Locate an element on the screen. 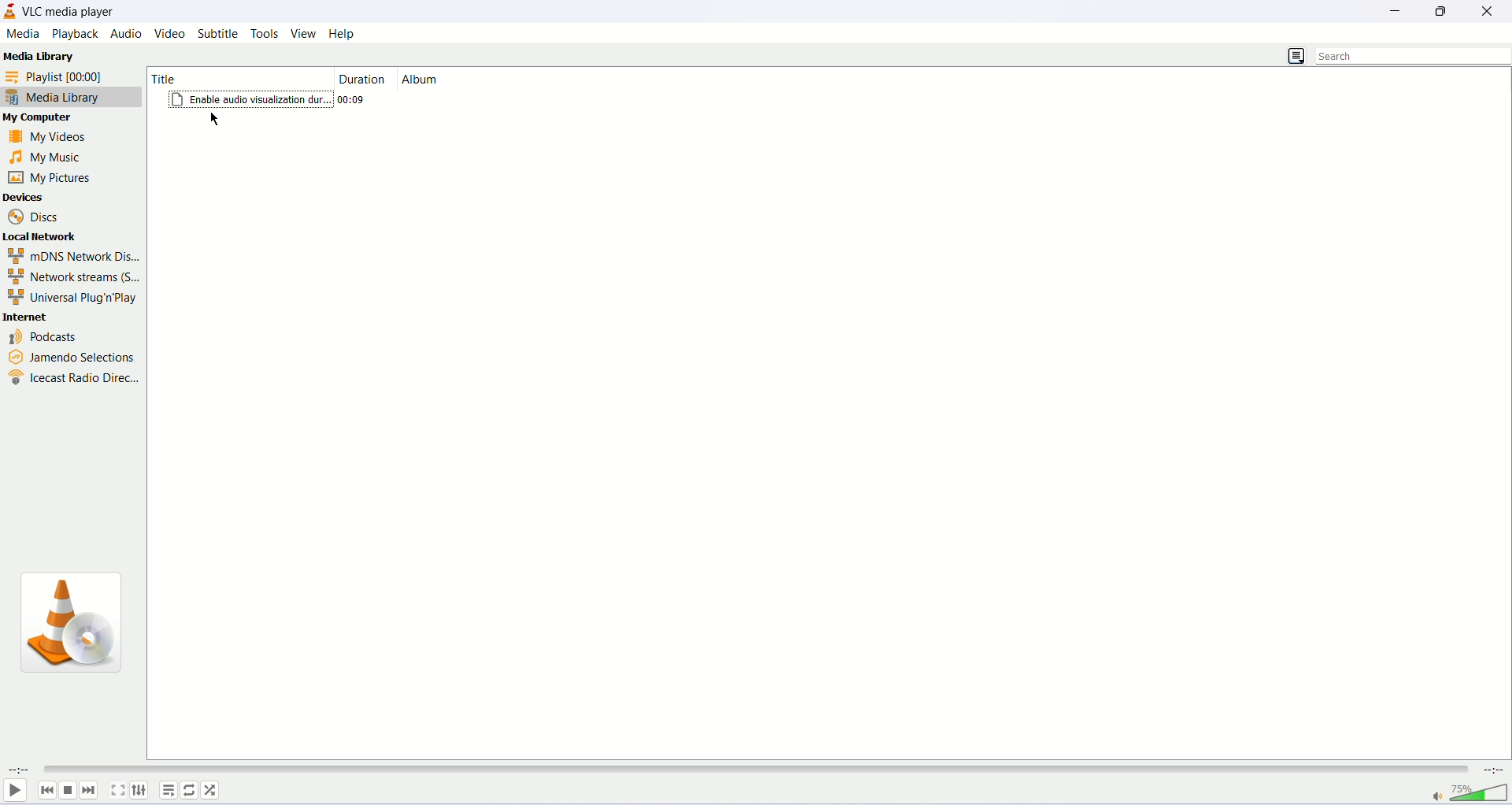  playlist is located at coordinates (70, 76).